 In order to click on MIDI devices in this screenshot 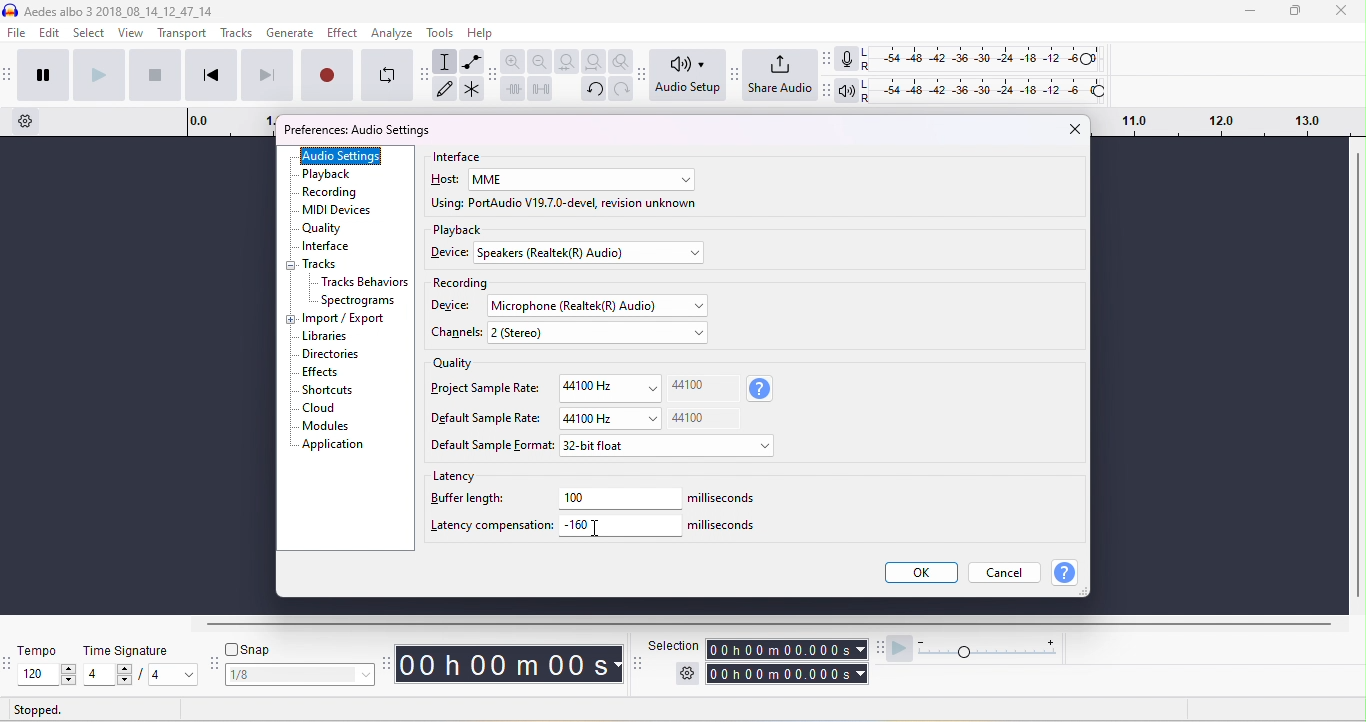, I will do `click(339, 211)`.